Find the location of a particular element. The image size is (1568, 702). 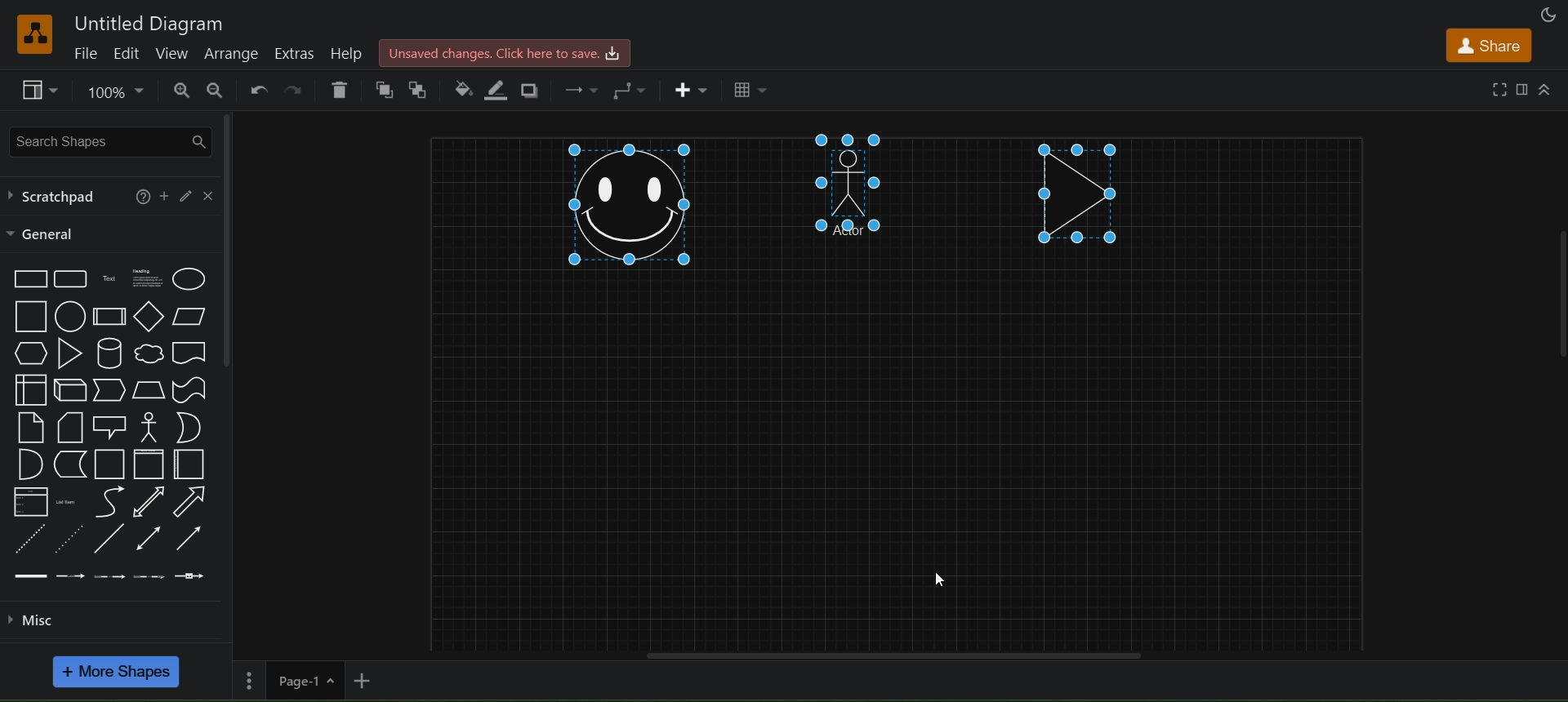

diamond is located at coordinates (145, 317).